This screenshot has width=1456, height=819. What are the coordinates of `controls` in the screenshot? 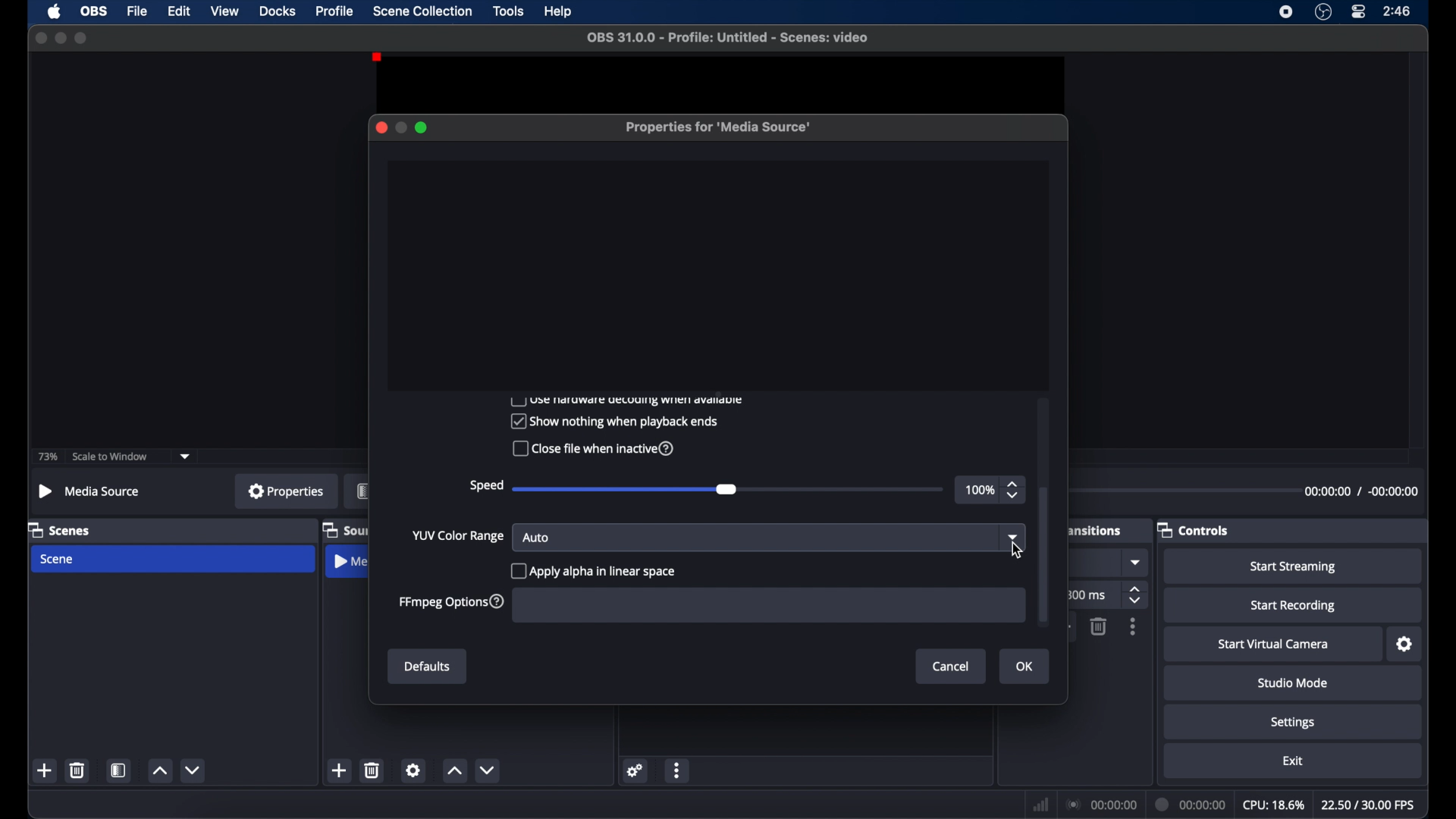 It's located at (1194, 529).